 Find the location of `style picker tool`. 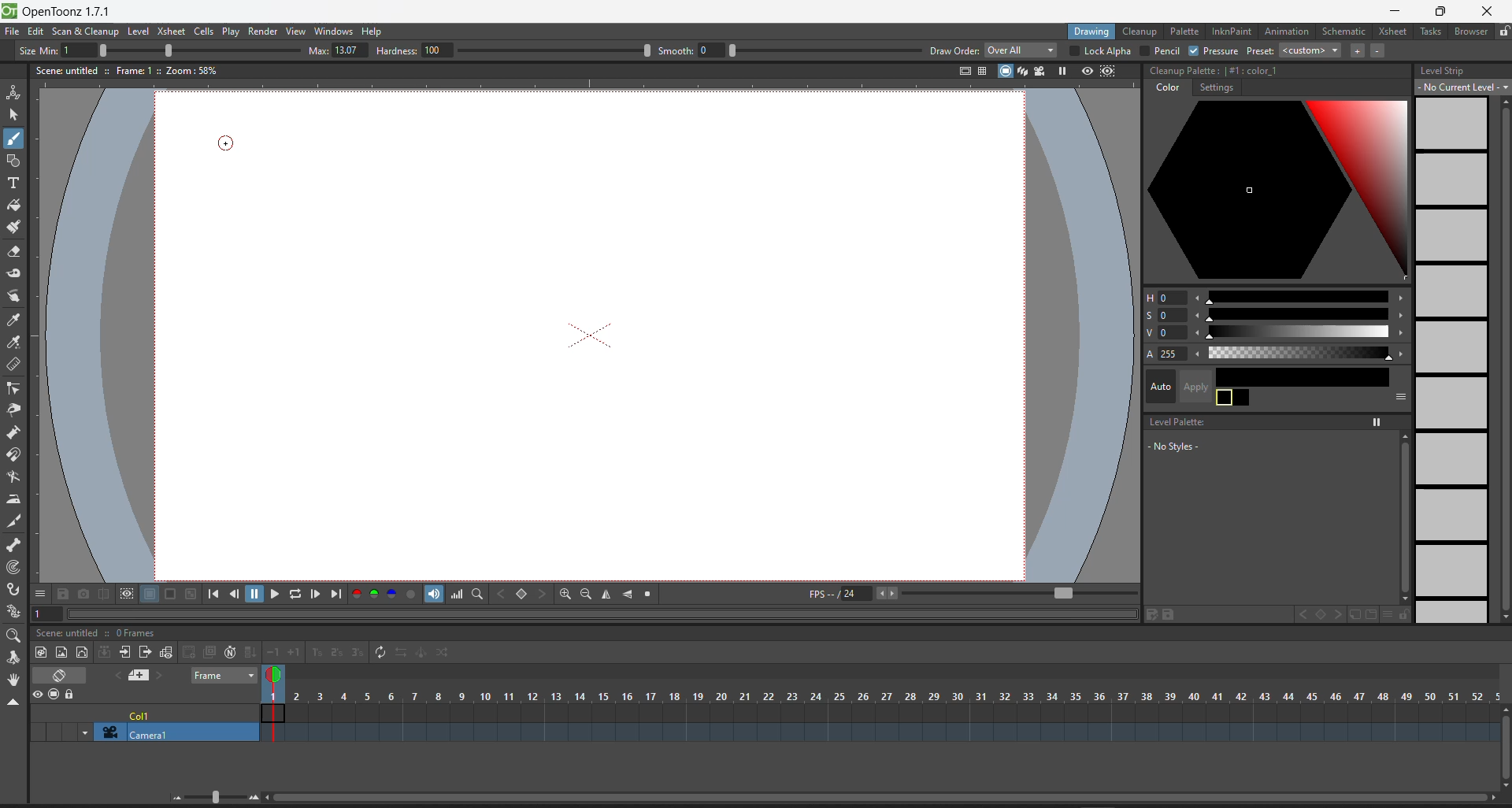

style picker tool is located at coordinates (16, 321).